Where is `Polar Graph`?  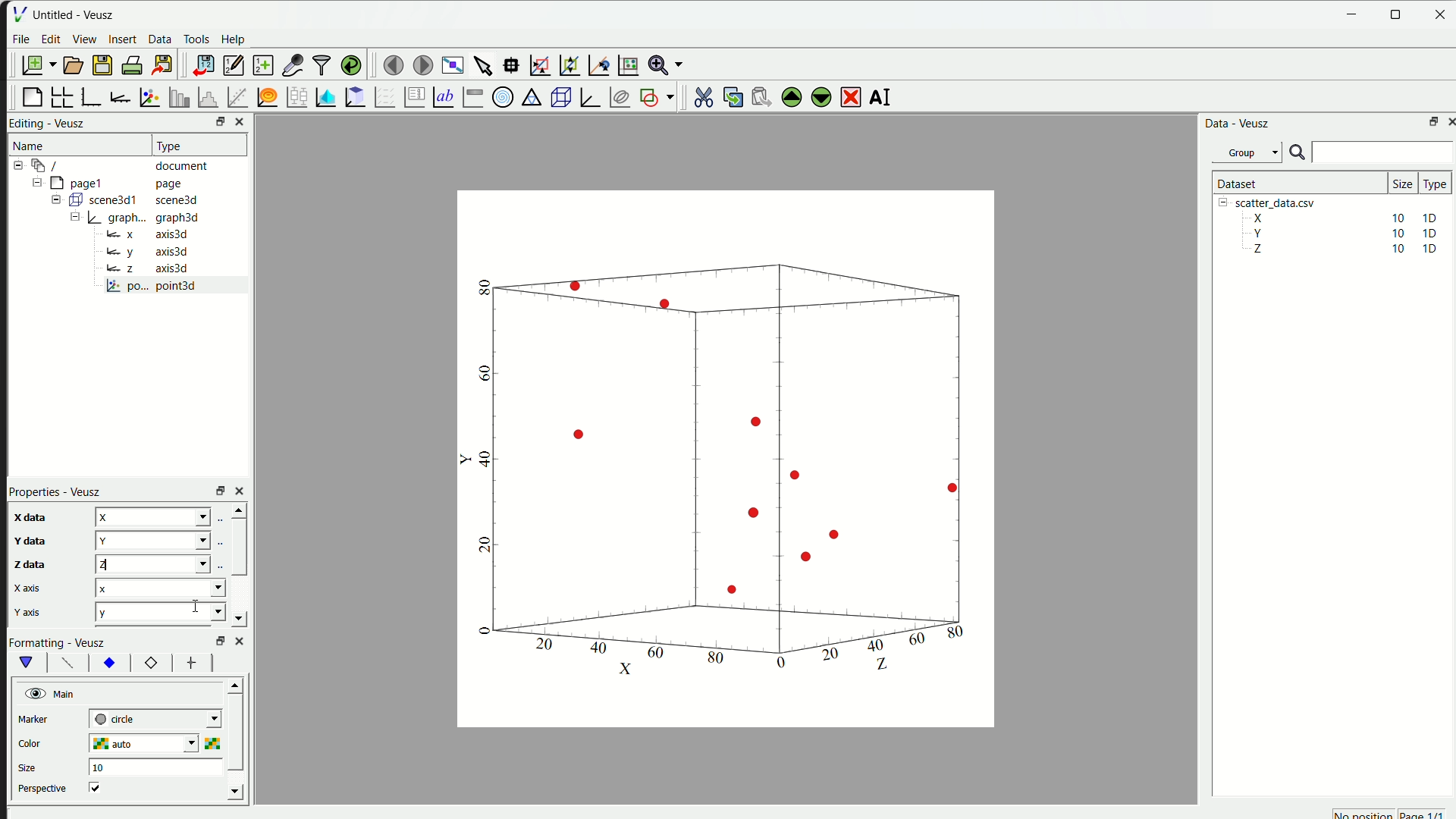
Polar Graph is located at coordinates (501, 97).